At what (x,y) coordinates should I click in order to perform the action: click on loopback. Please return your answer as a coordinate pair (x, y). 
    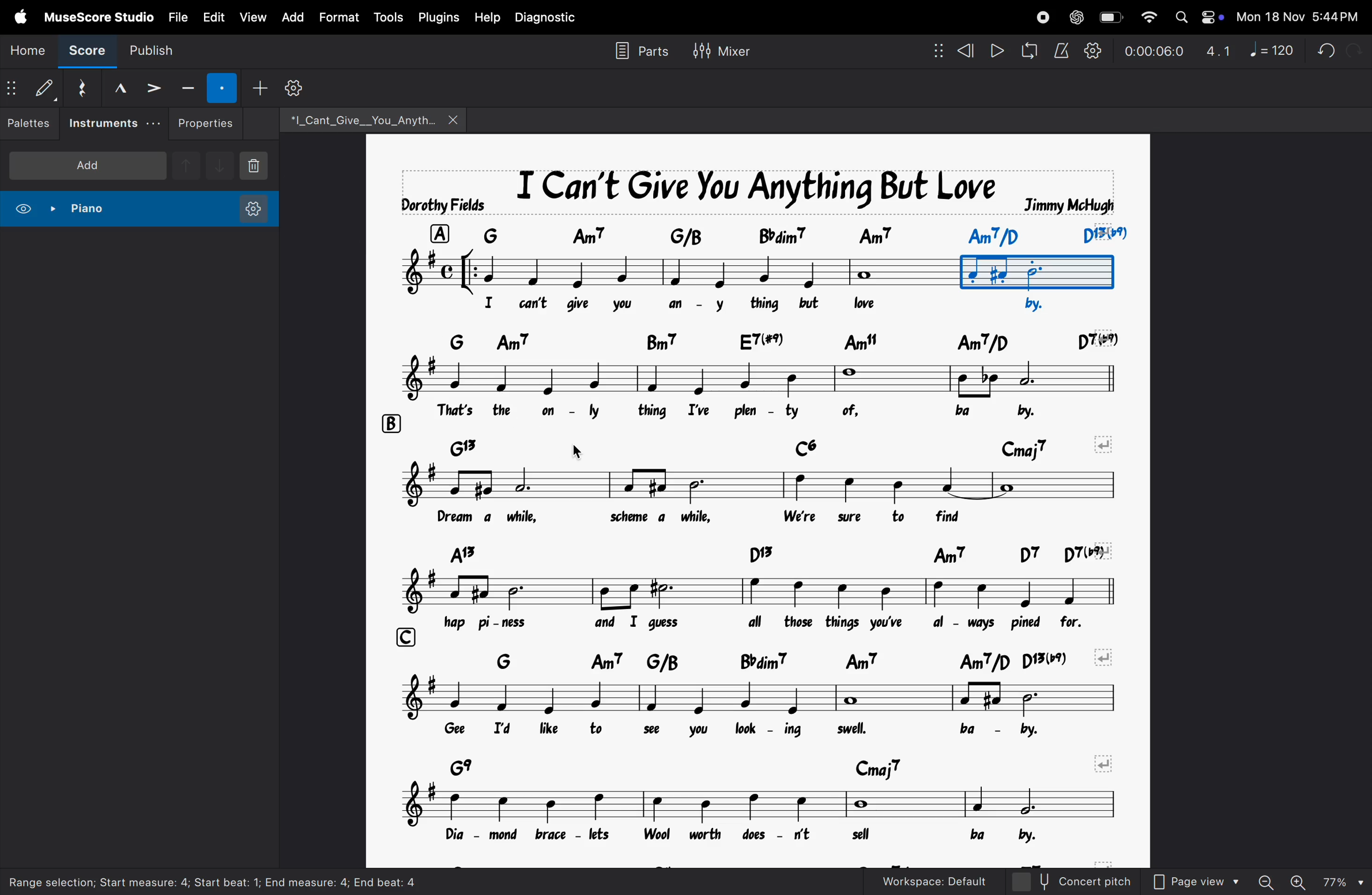
    Looking at the image, I should click on (1028, 50).